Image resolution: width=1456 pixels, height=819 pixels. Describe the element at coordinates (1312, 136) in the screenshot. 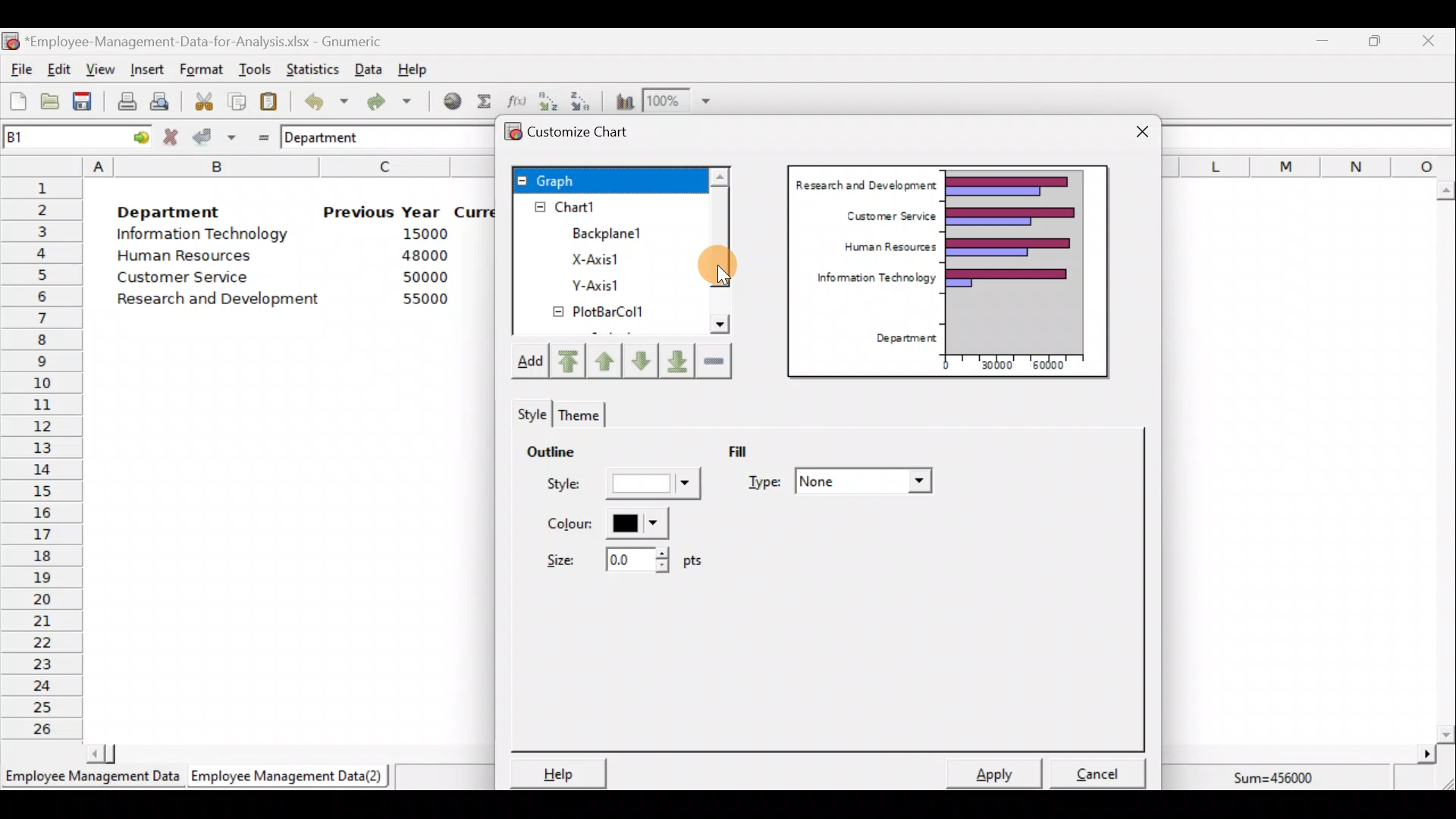

I see `Formula bar` at that location.